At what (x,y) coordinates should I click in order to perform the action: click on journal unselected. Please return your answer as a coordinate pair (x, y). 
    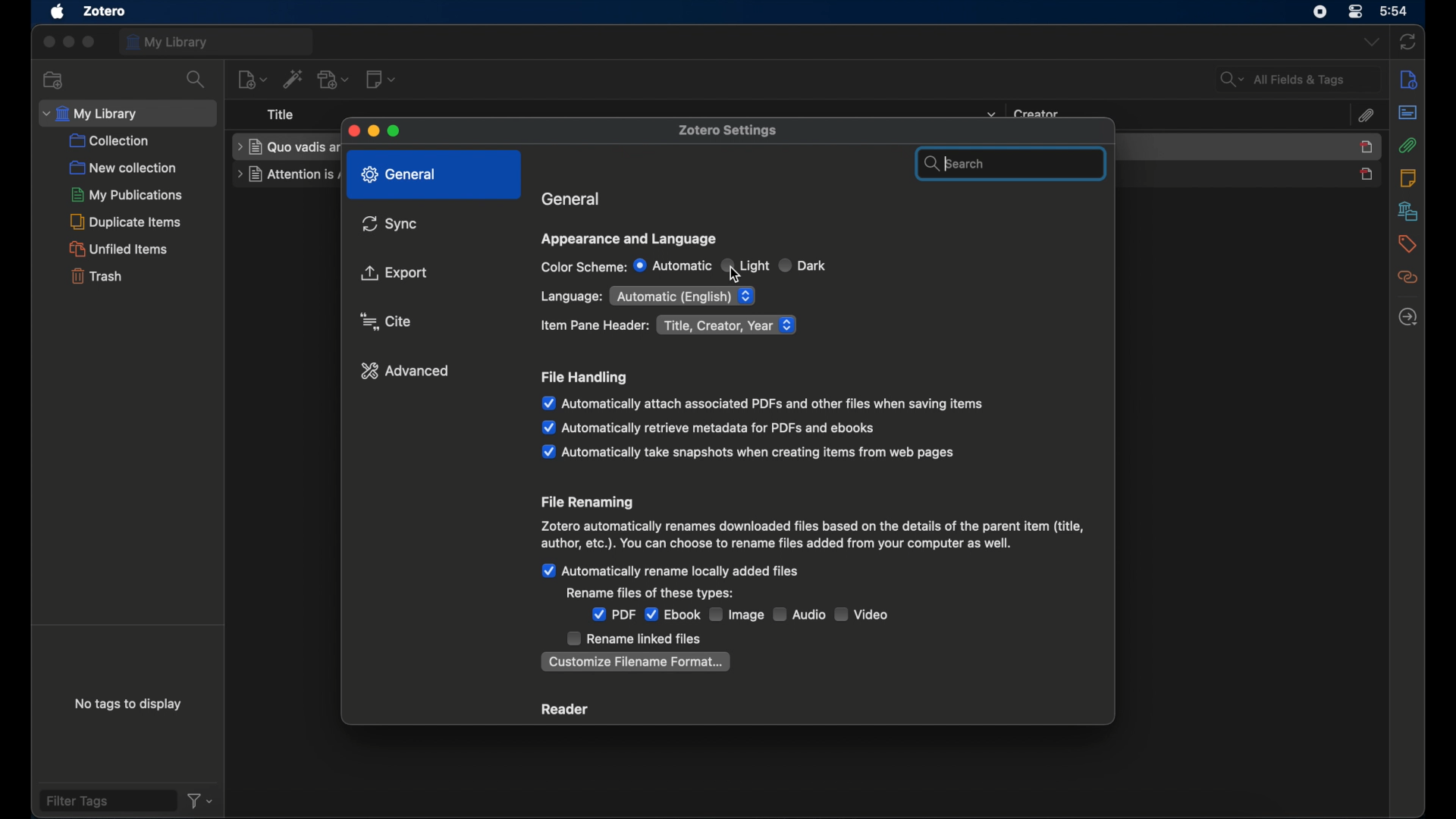
    Looking at the image, I should click on (1366, 174).